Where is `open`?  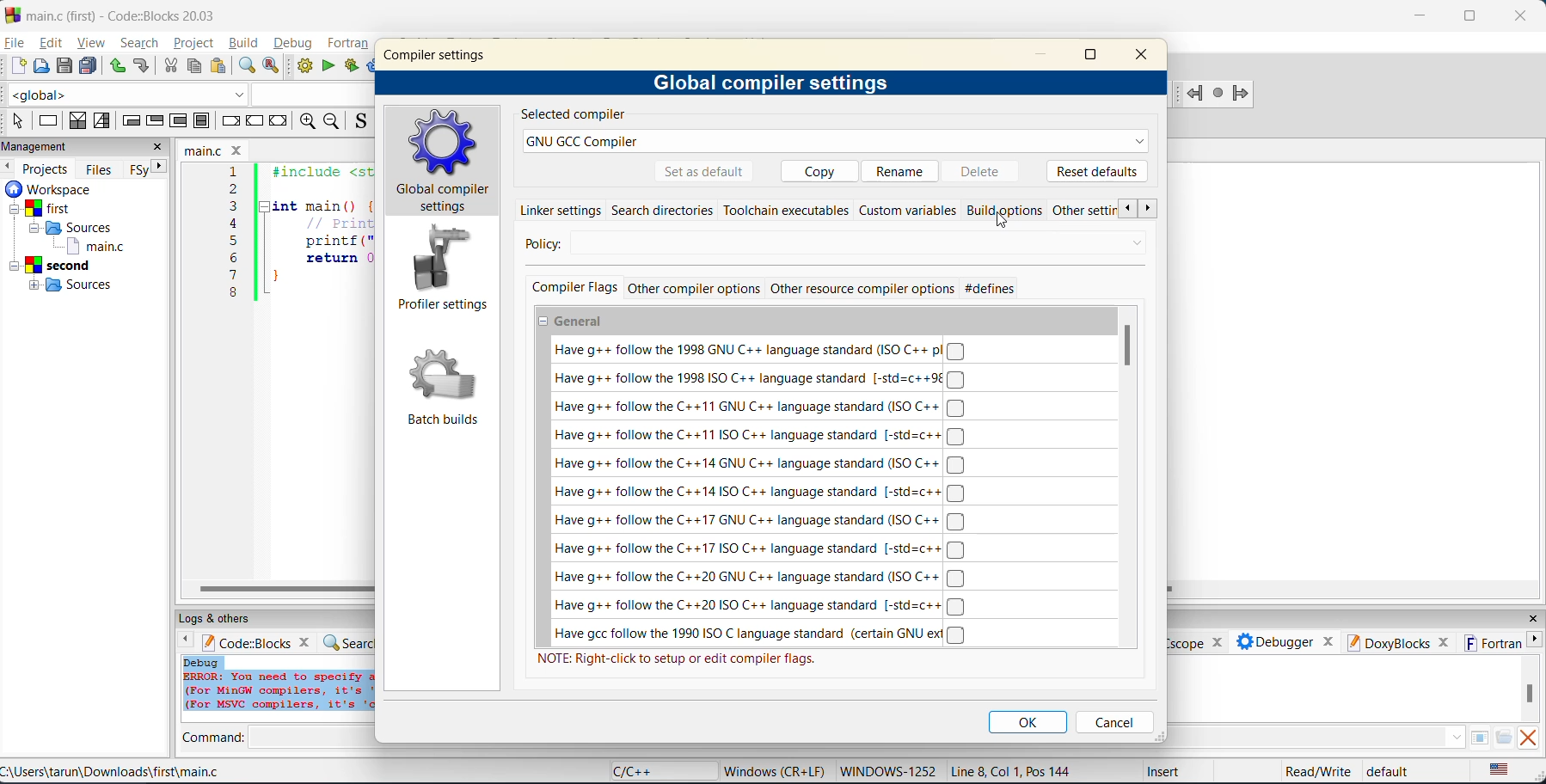 open is located at coordinates (43, 67).